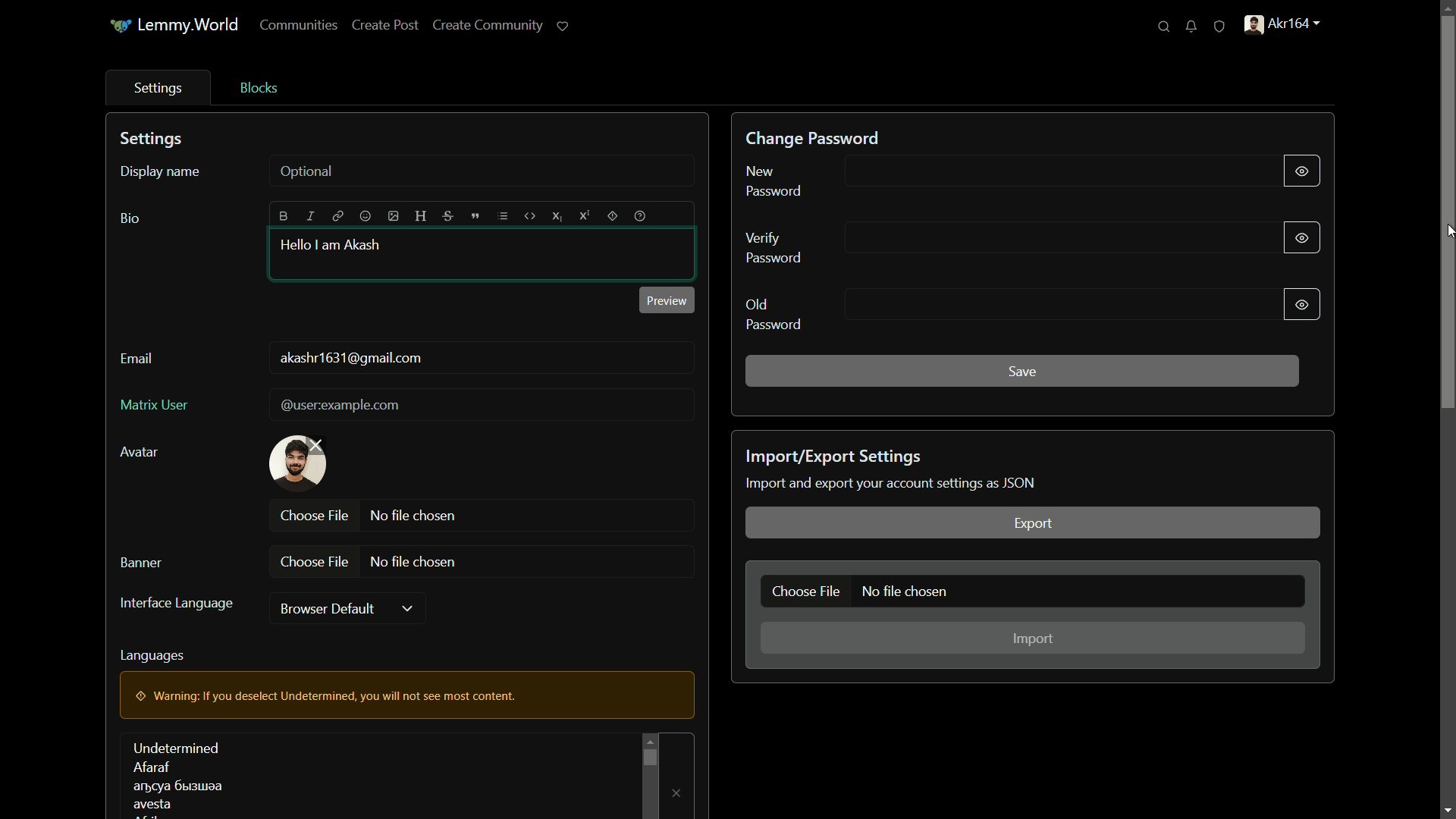  Describe the element at coordinates (673, 792) in the screenshot. I see `remove` at that location.